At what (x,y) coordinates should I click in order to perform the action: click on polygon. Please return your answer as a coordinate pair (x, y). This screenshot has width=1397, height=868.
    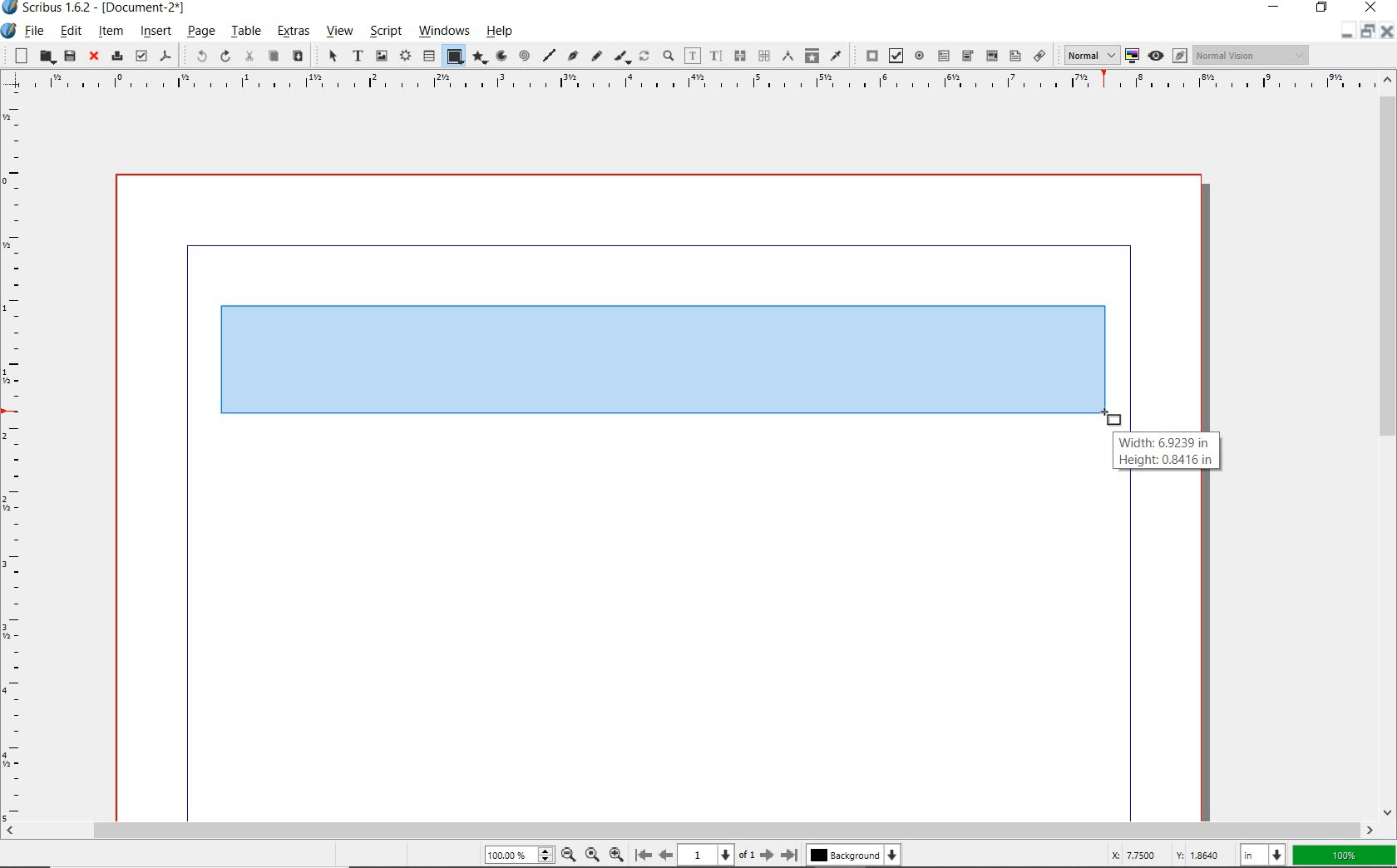
    Looking at the image, I should click on (481, 58).